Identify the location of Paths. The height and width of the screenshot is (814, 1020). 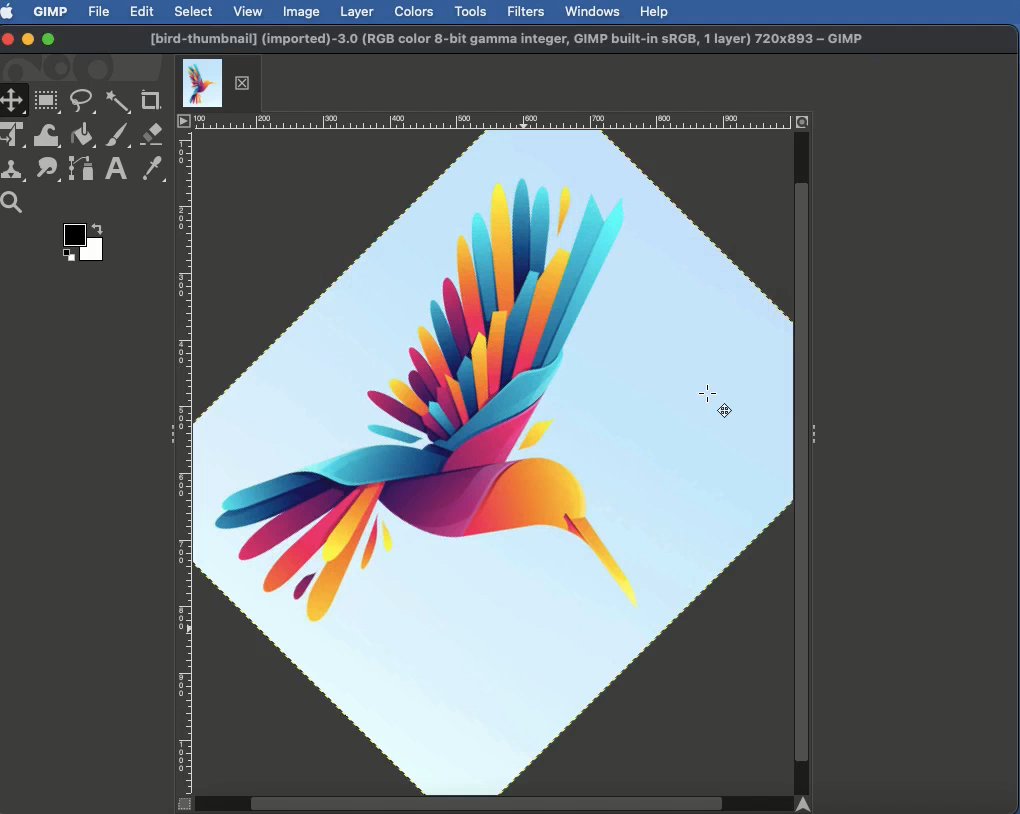
(80, 172).